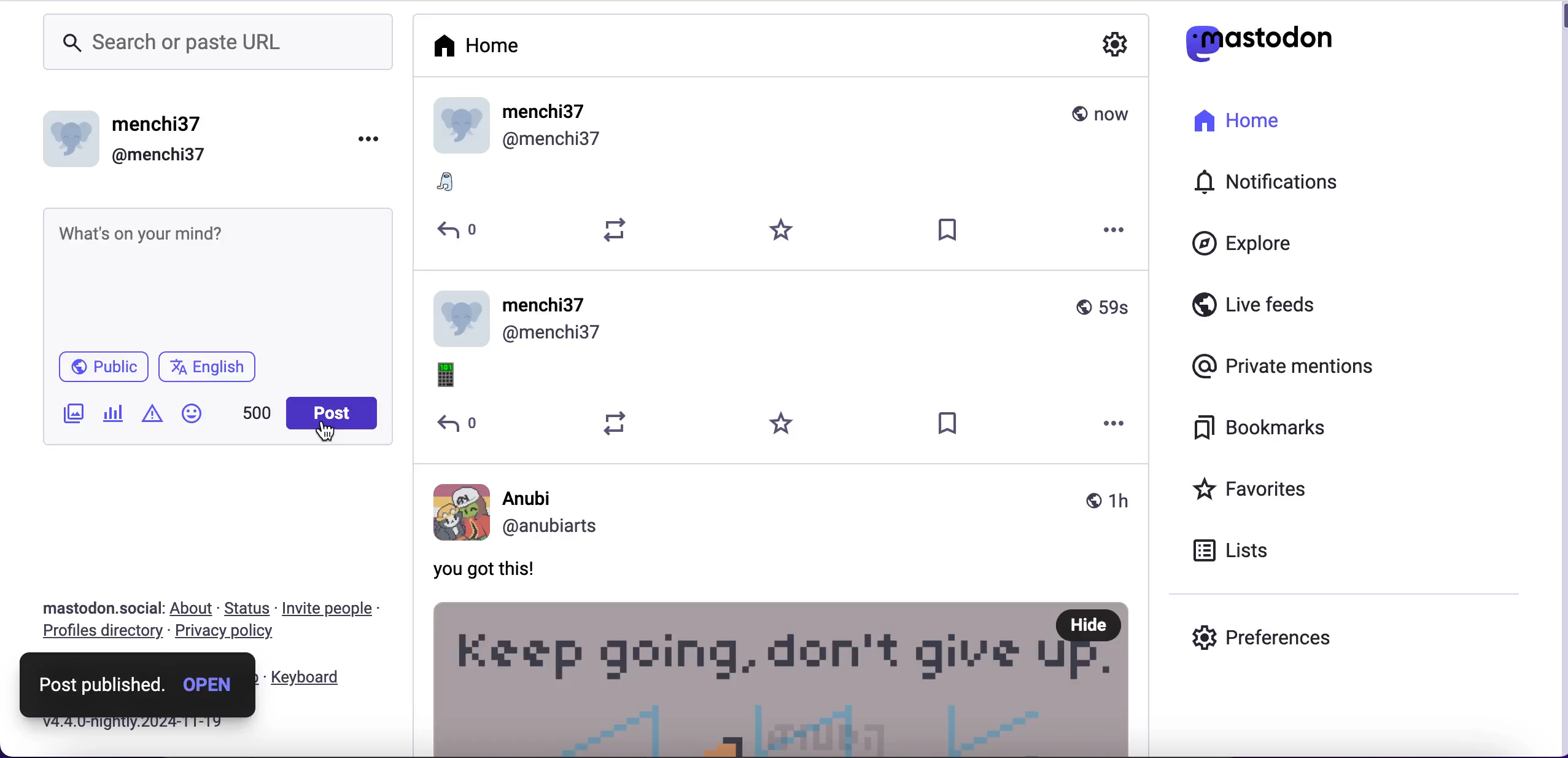  I want to click on invite people, so click(327, 609).